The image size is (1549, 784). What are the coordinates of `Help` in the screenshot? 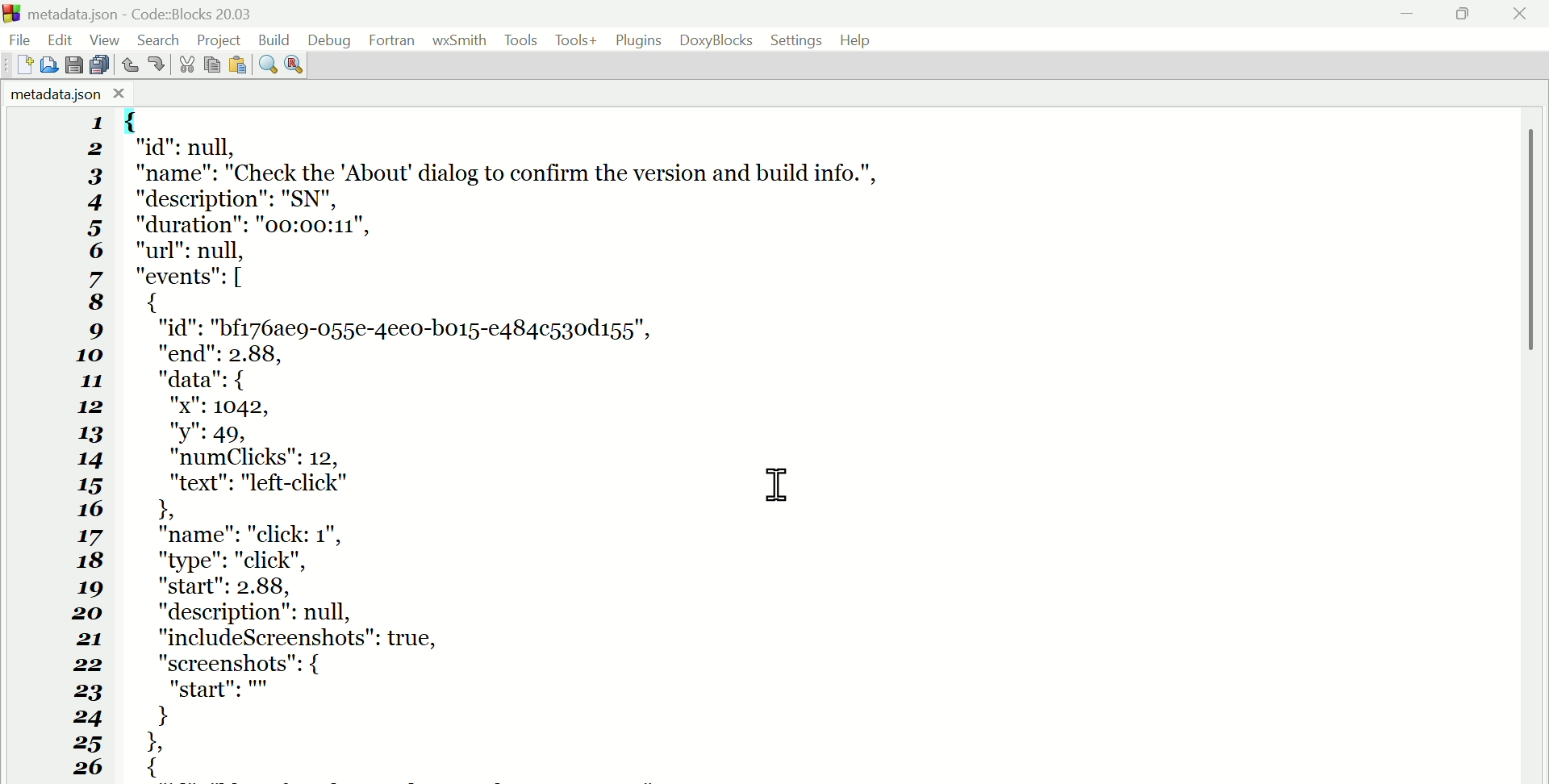 It's located at (860, 40).